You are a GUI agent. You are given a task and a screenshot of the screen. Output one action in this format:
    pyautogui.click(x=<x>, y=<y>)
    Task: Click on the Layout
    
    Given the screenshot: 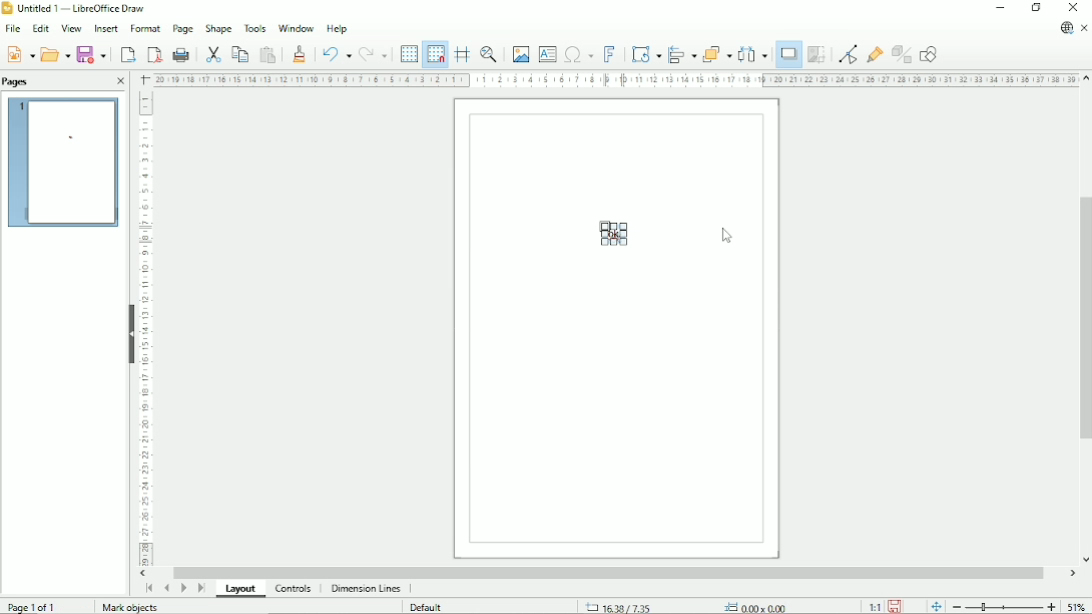 What is the action you would take?
    pyautogui.click(x=245, y=589)
    